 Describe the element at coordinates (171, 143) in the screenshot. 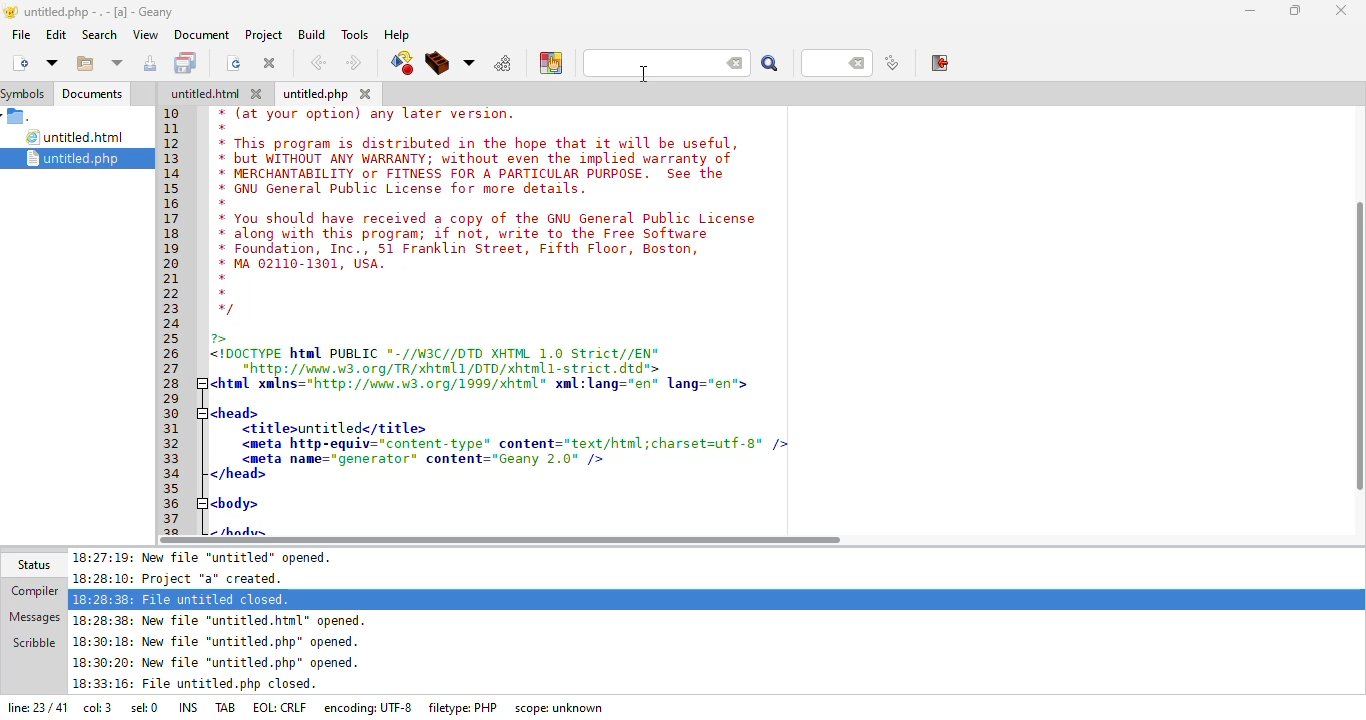

I see `12` at that location.